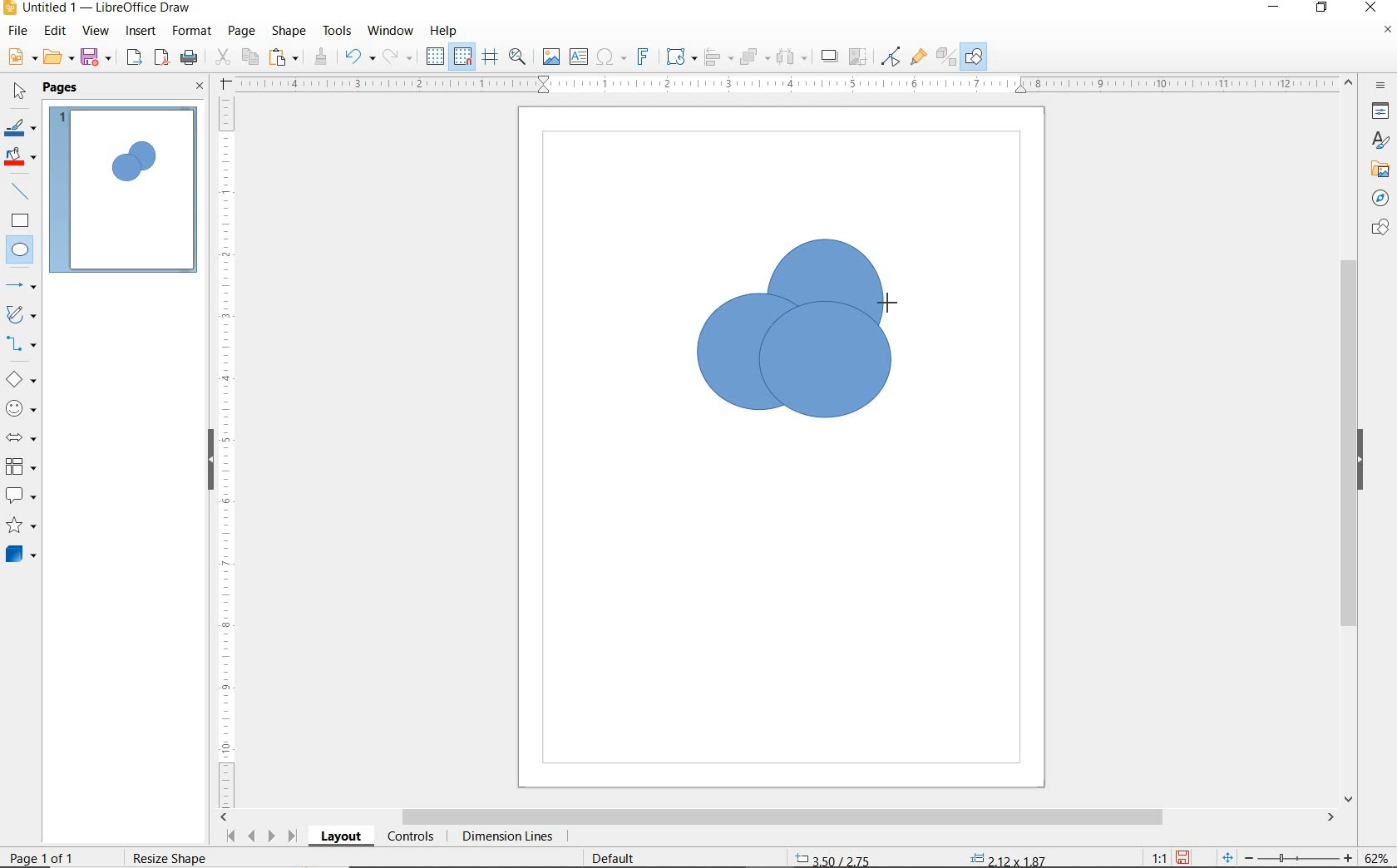 This screenshot has width=1397, height=868. Describe the element at coordinates (517, 56) in the screenshot. I see `ZOOM & PAN` at that location.